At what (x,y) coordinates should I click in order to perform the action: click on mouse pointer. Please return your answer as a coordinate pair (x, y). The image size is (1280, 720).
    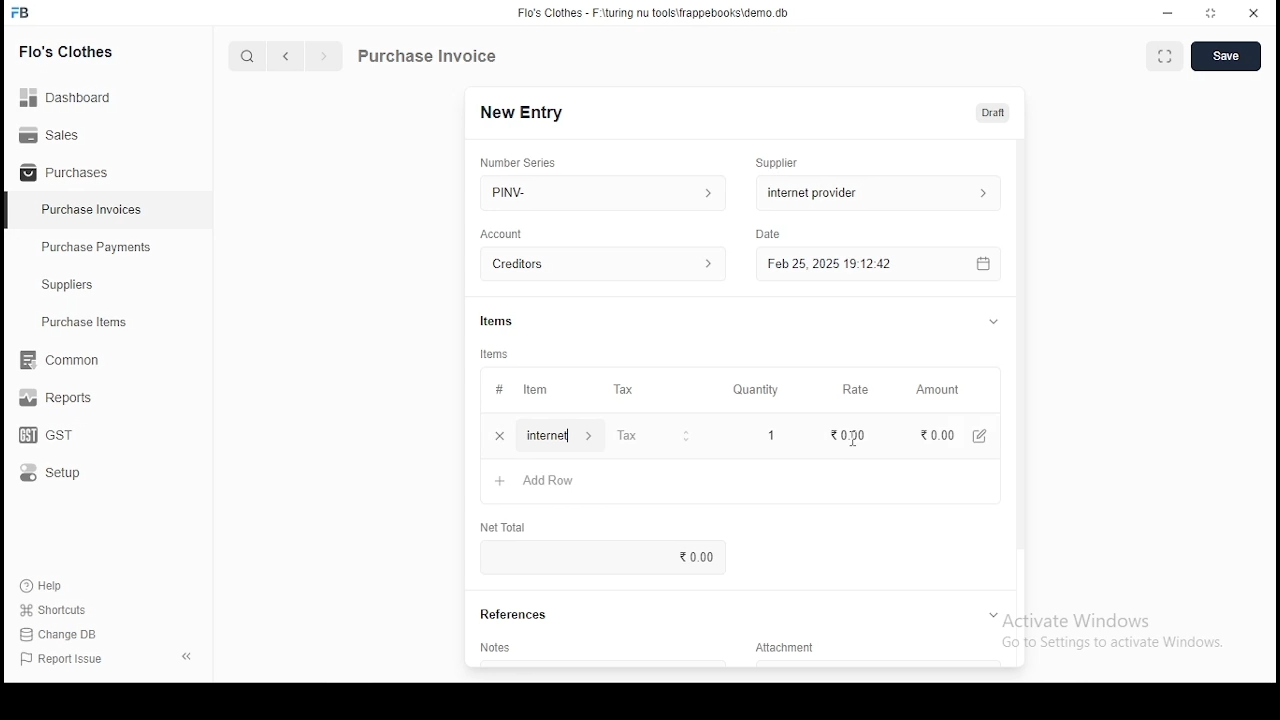
    Looking at the image, I should click on (852, 440).